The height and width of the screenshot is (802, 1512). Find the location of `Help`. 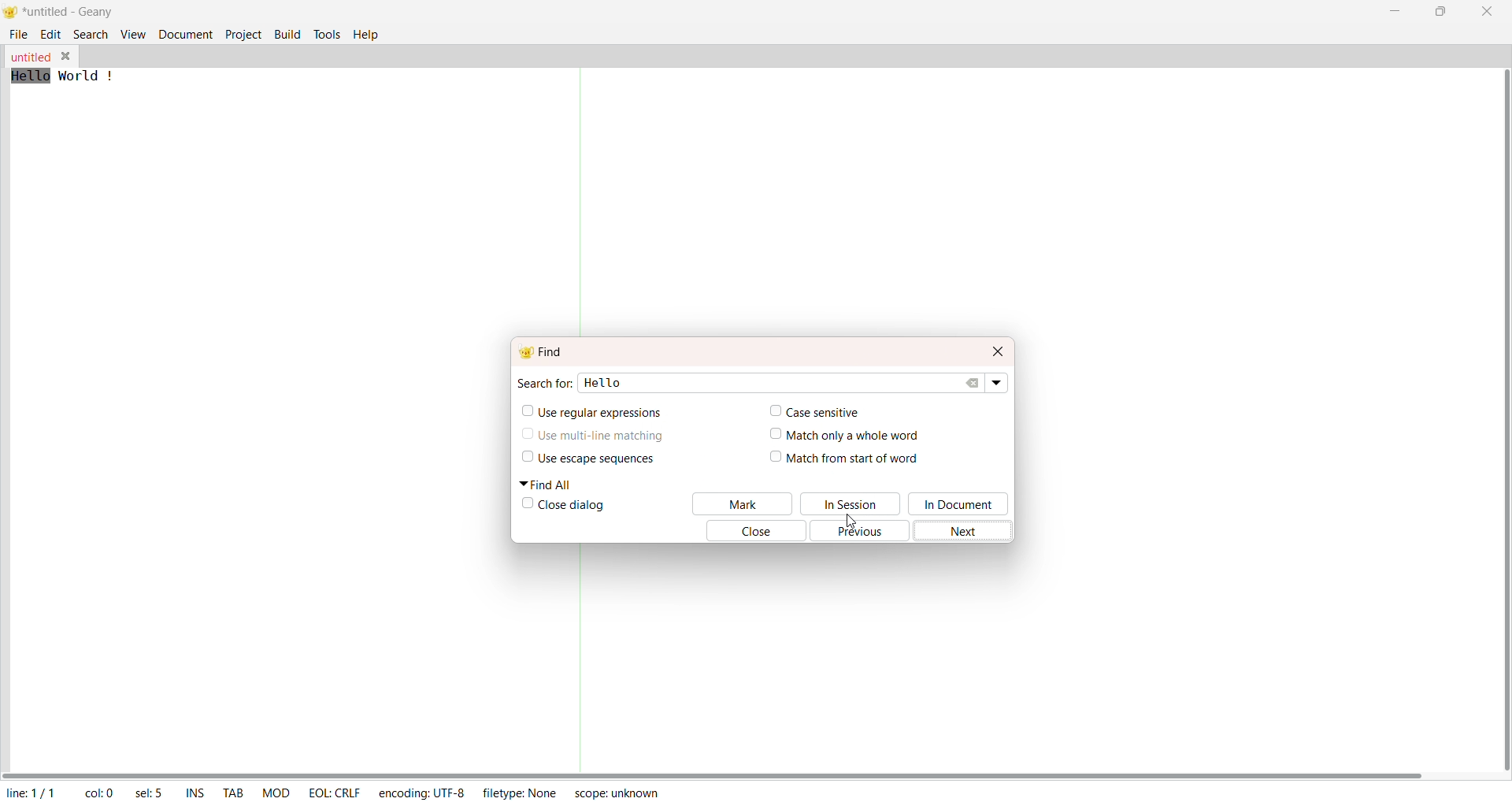

Help is located at coordinates (368, 34).